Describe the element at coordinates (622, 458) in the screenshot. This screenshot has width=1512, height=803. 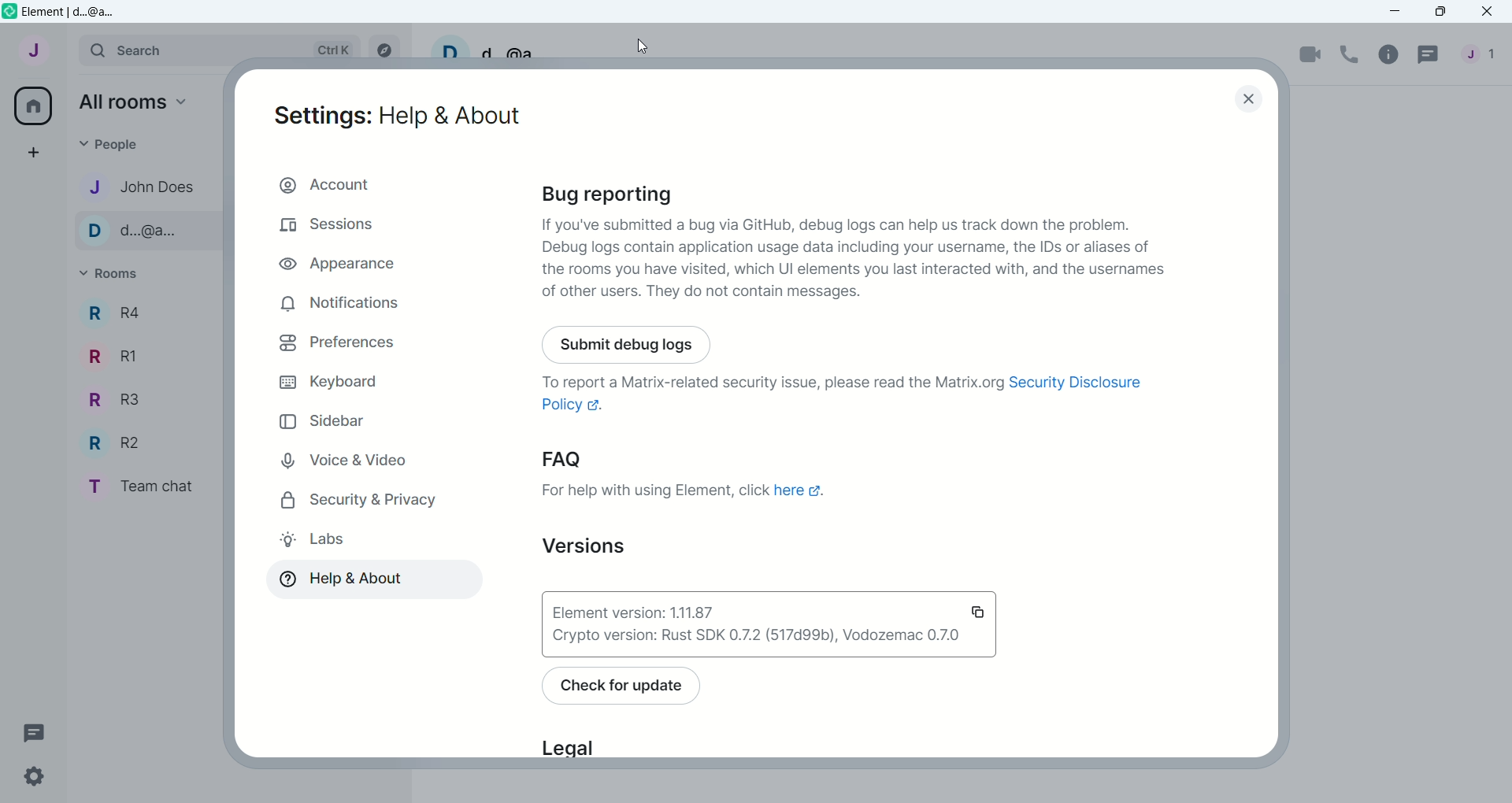
I see `FAQ` at that location.